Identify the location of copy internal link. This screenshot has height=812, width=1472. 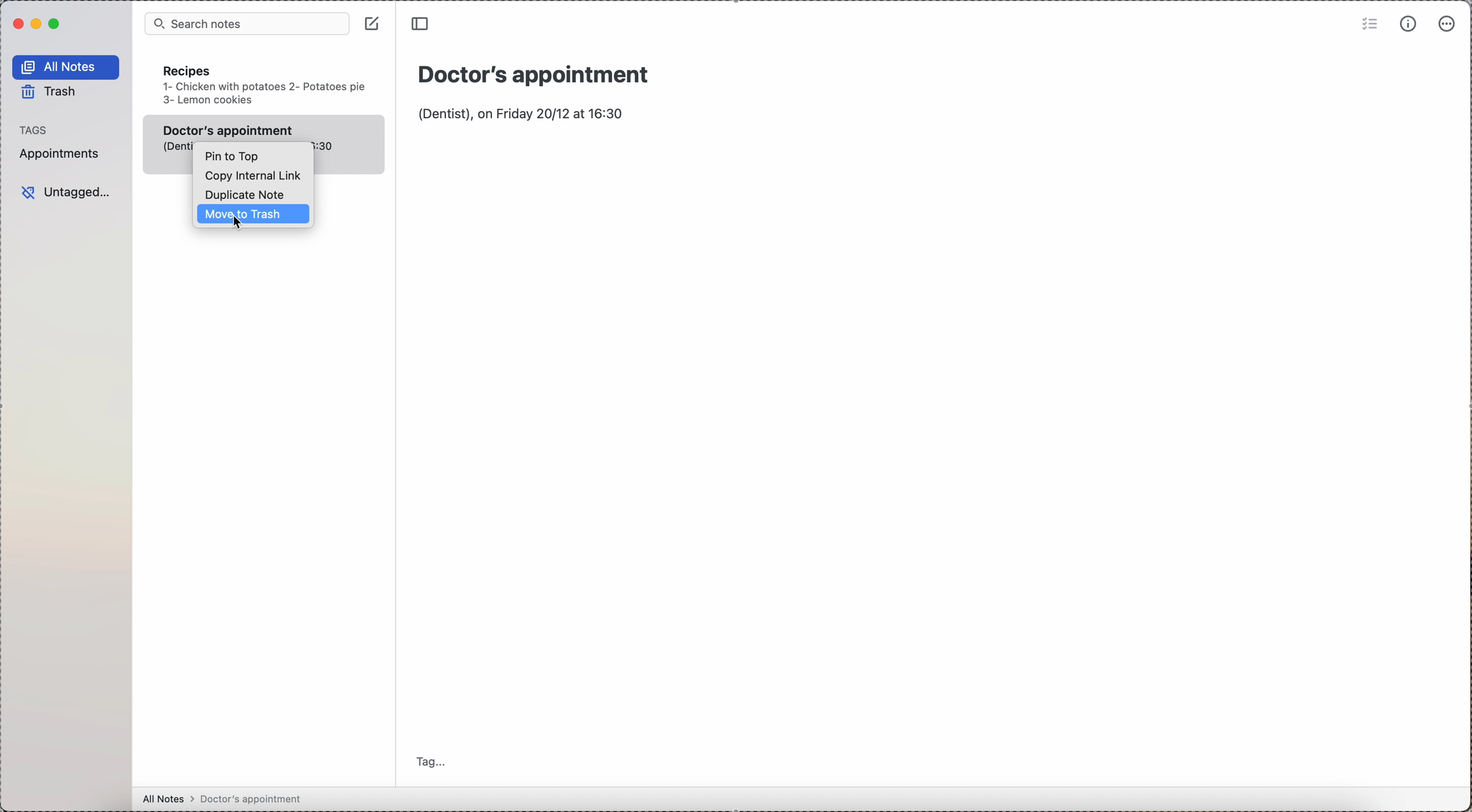
(257, 177).